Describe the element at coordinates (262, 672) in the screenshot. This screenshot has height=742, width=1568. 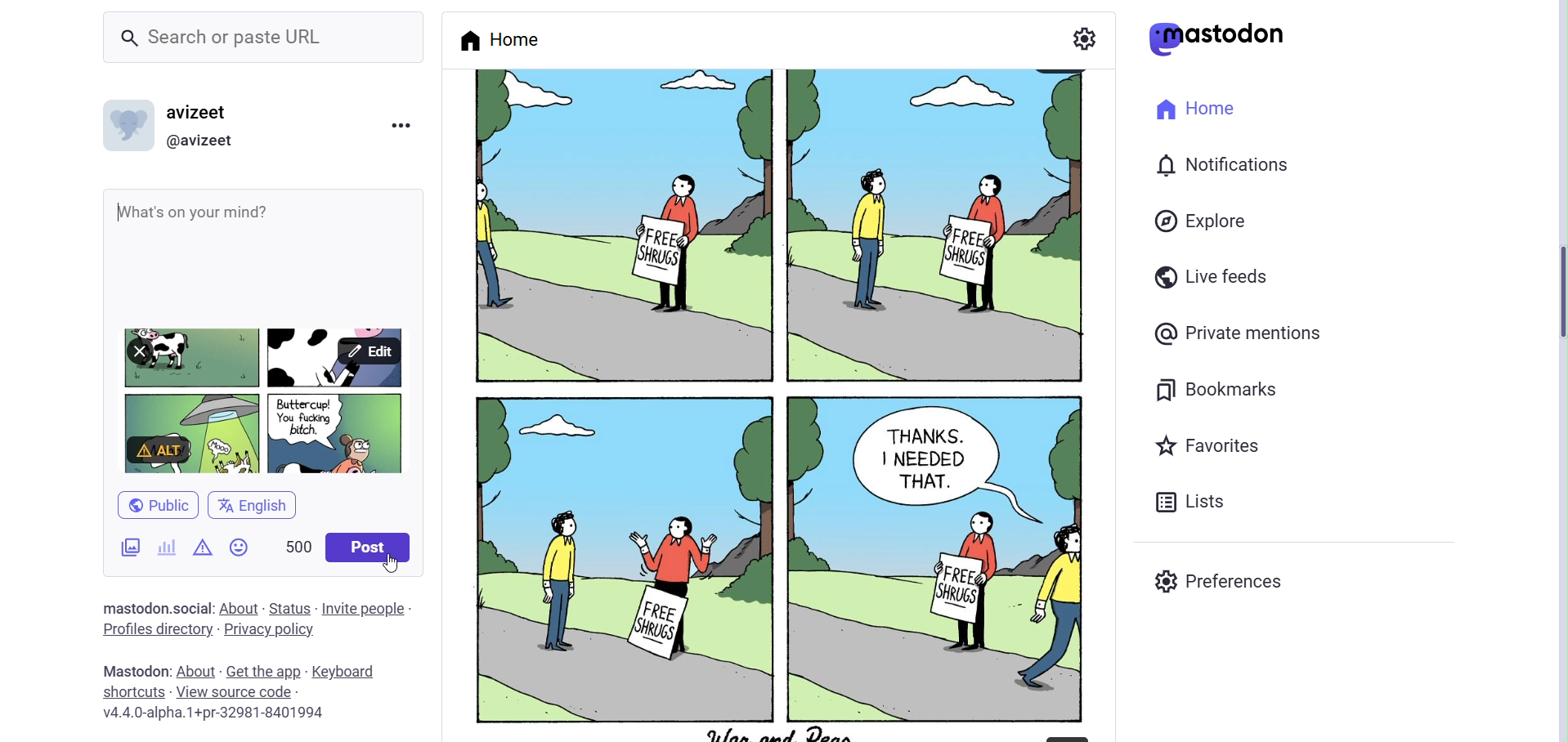
I see `Get the app` at that location.